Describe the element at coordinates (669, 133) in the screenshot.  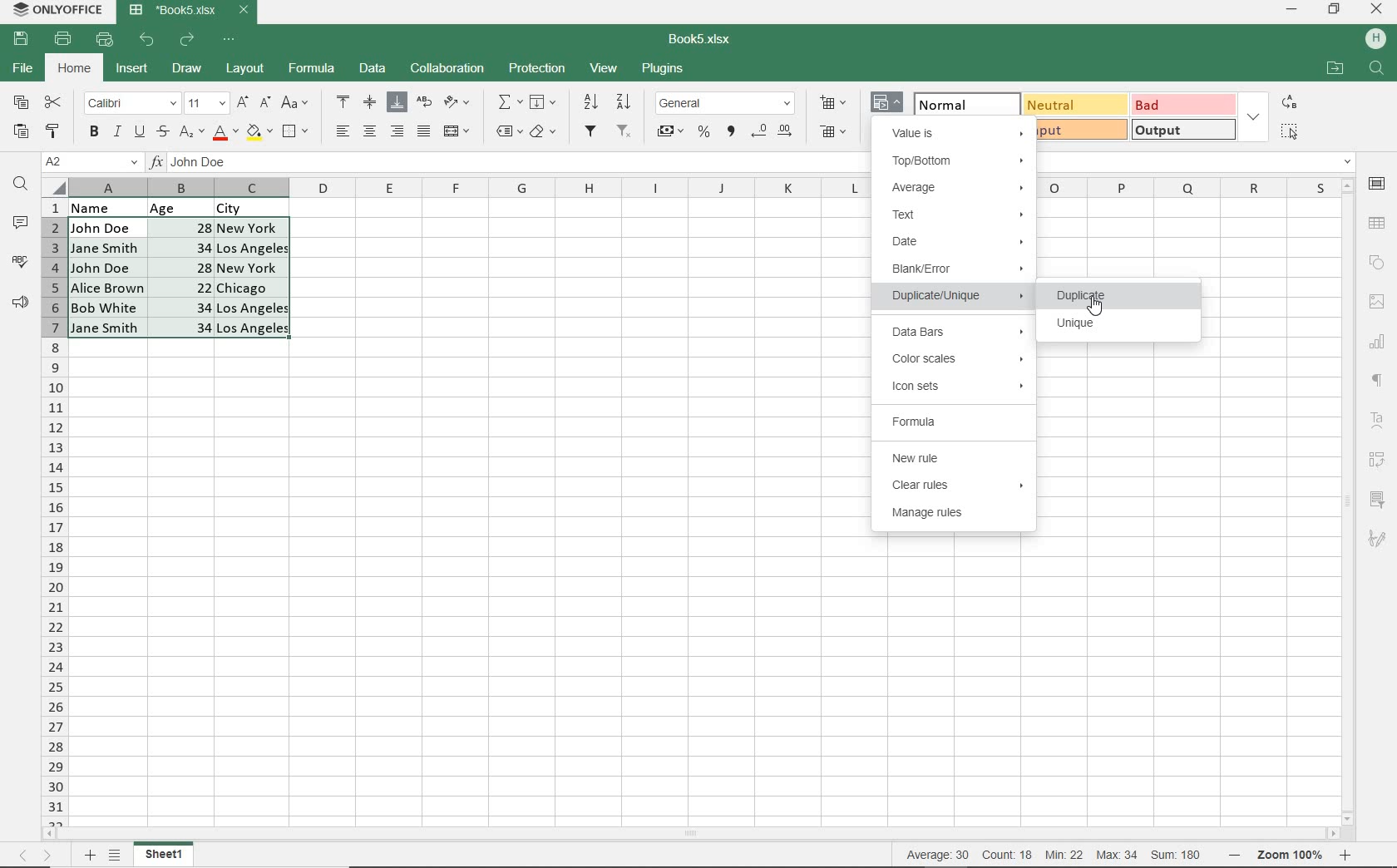
I see `ACCOUNTING STYLE` at that location.